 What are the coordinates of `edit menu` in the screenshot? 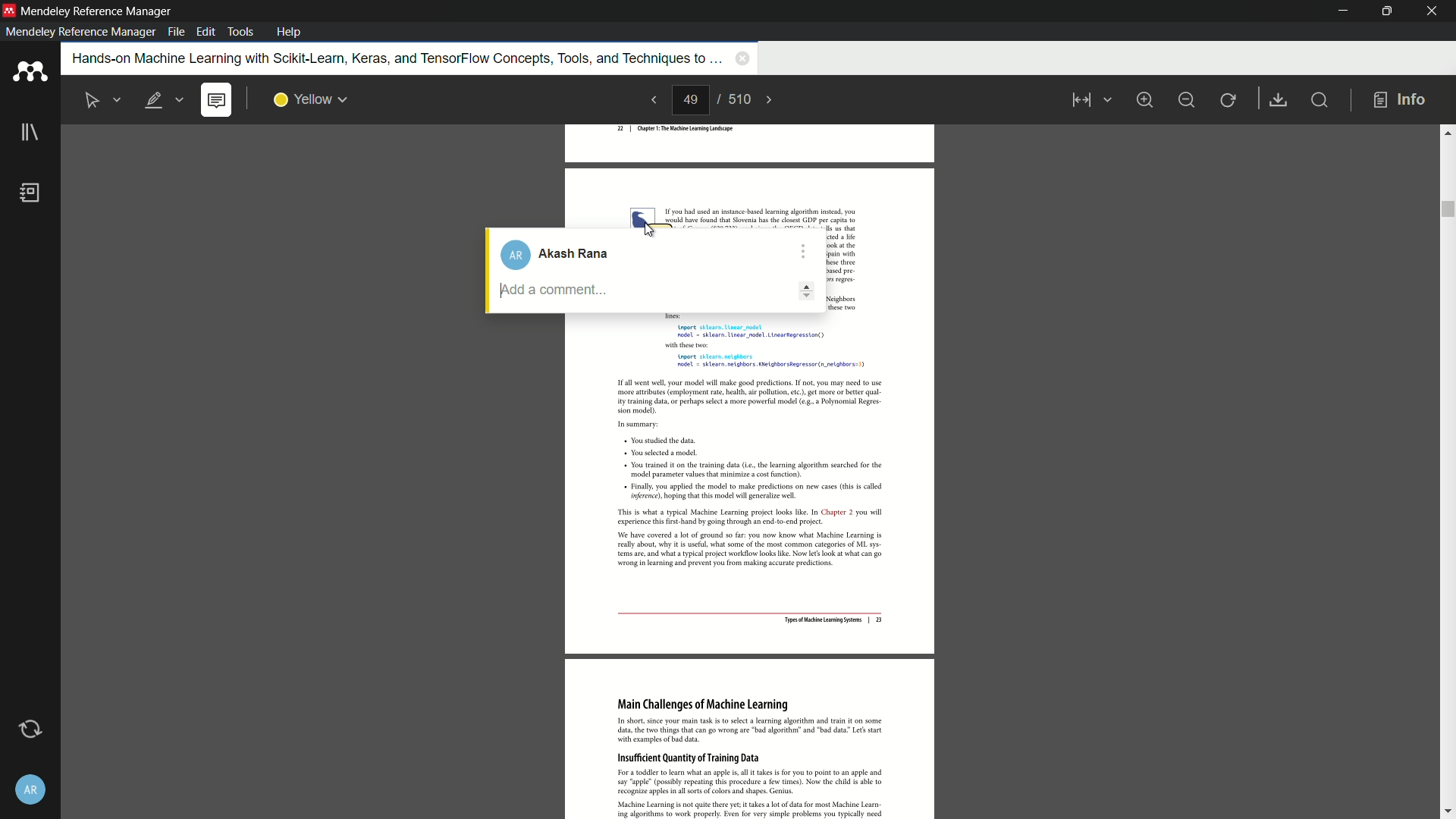 It's located at (206, 33).